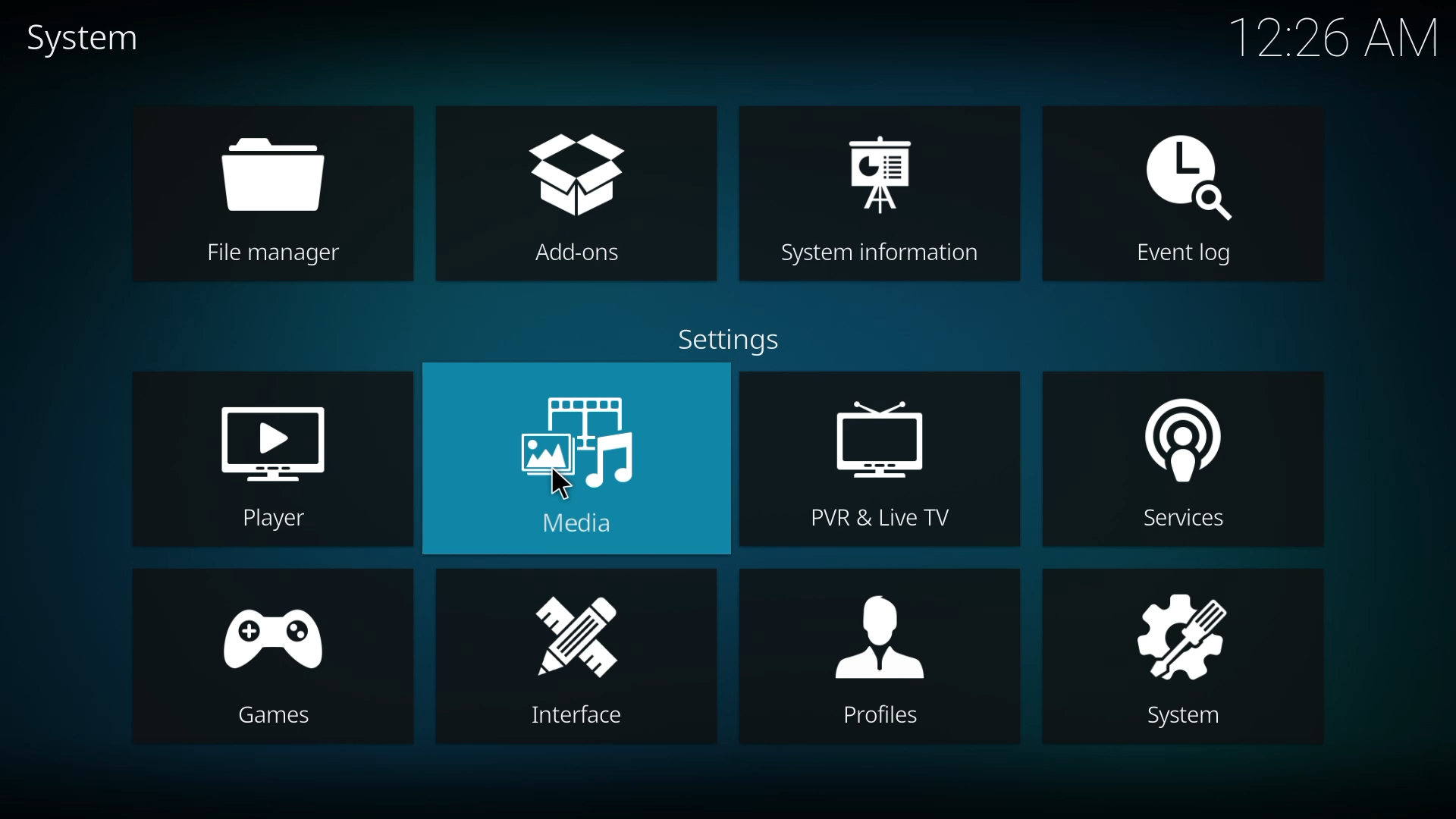 Image resolution: width=1456 pixels, height=819 pixels. I want to click on pvr & live tv, so click(886, 462).